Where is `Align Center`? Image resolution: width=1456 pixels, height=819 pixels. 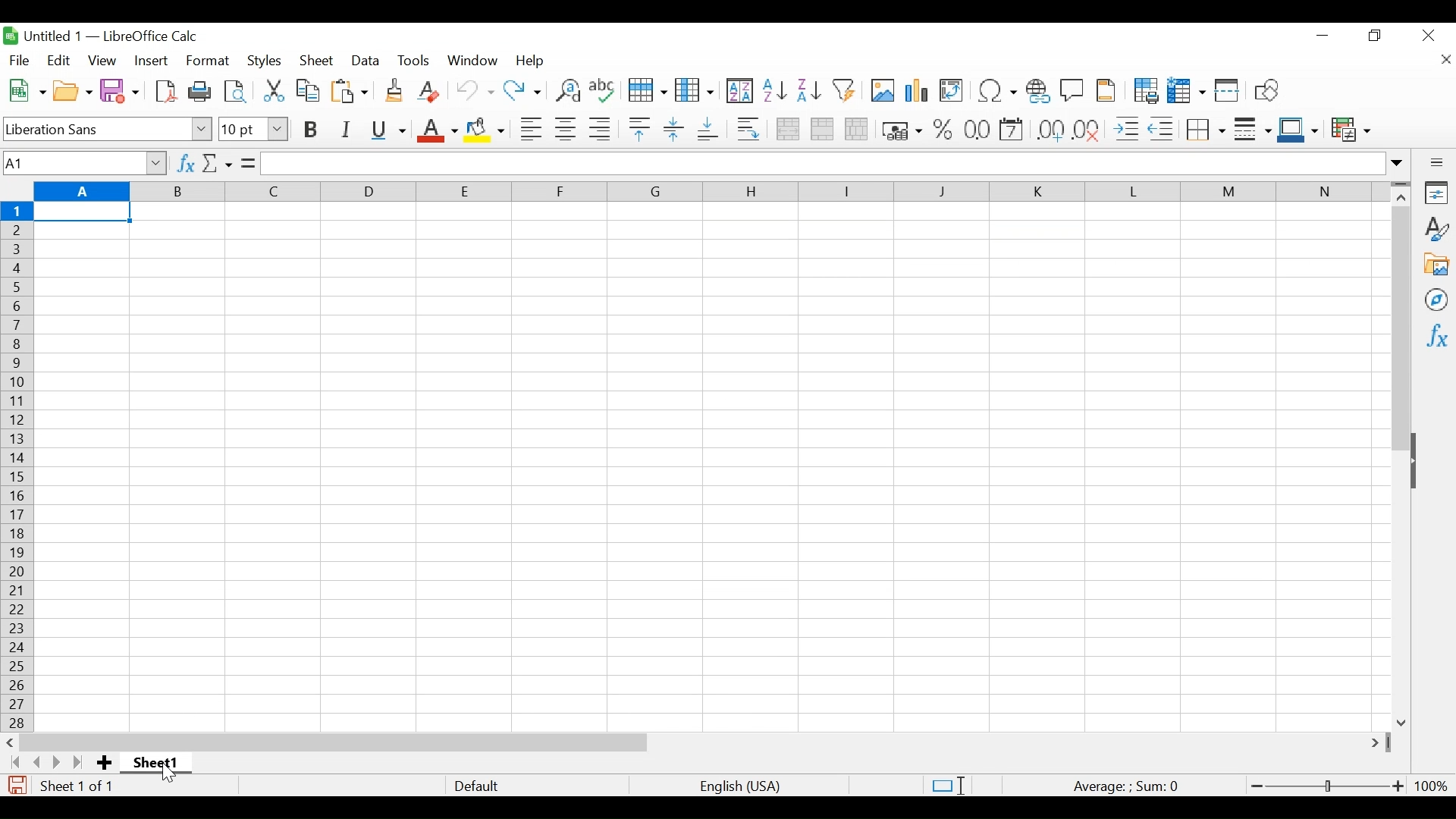 Align Center is located at coordinates (566, 129).